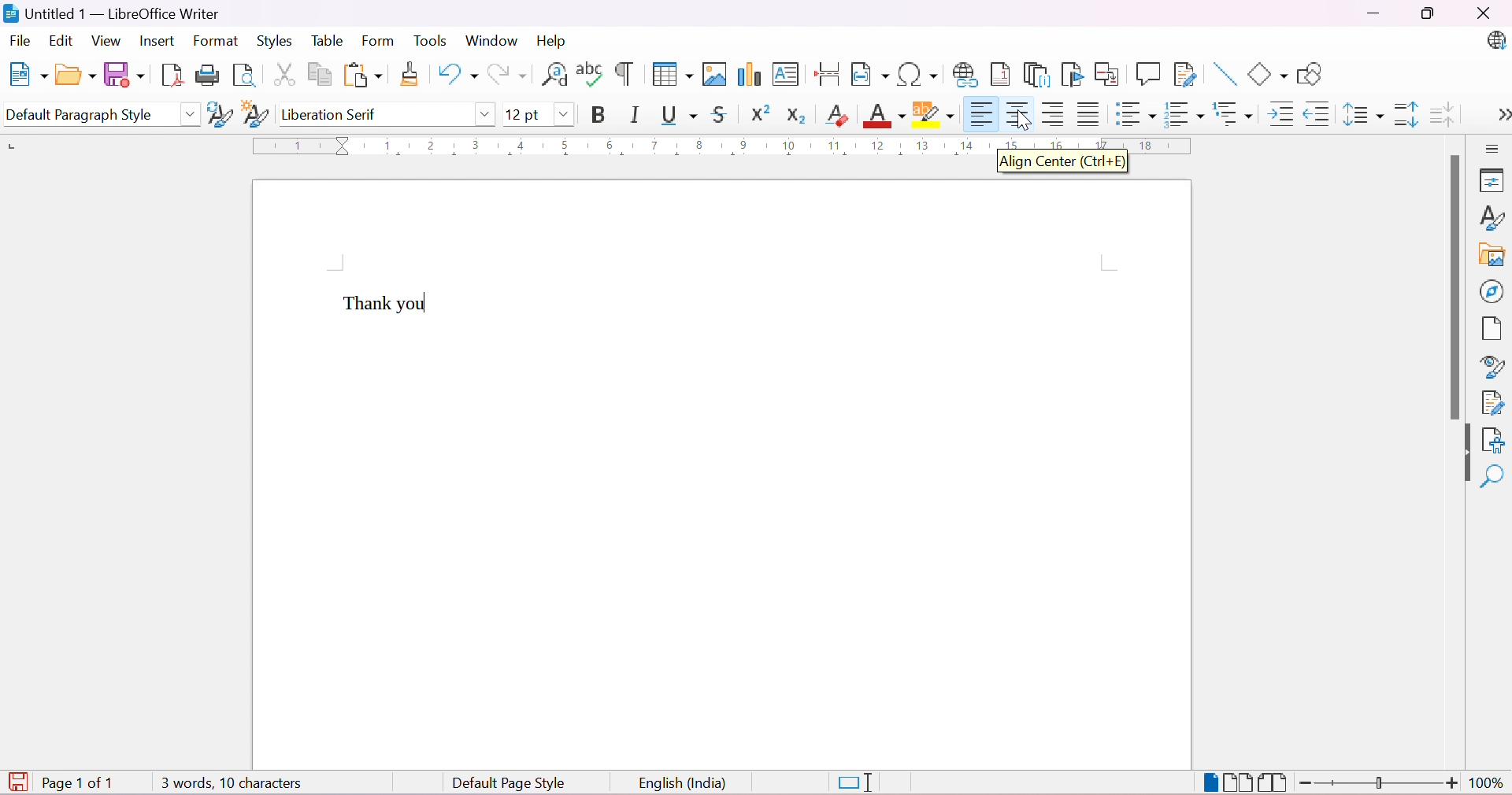 Image resolution: width=1512 pixels, height=795 pixels. I want to click on Export as PDF, so click(169, 77).